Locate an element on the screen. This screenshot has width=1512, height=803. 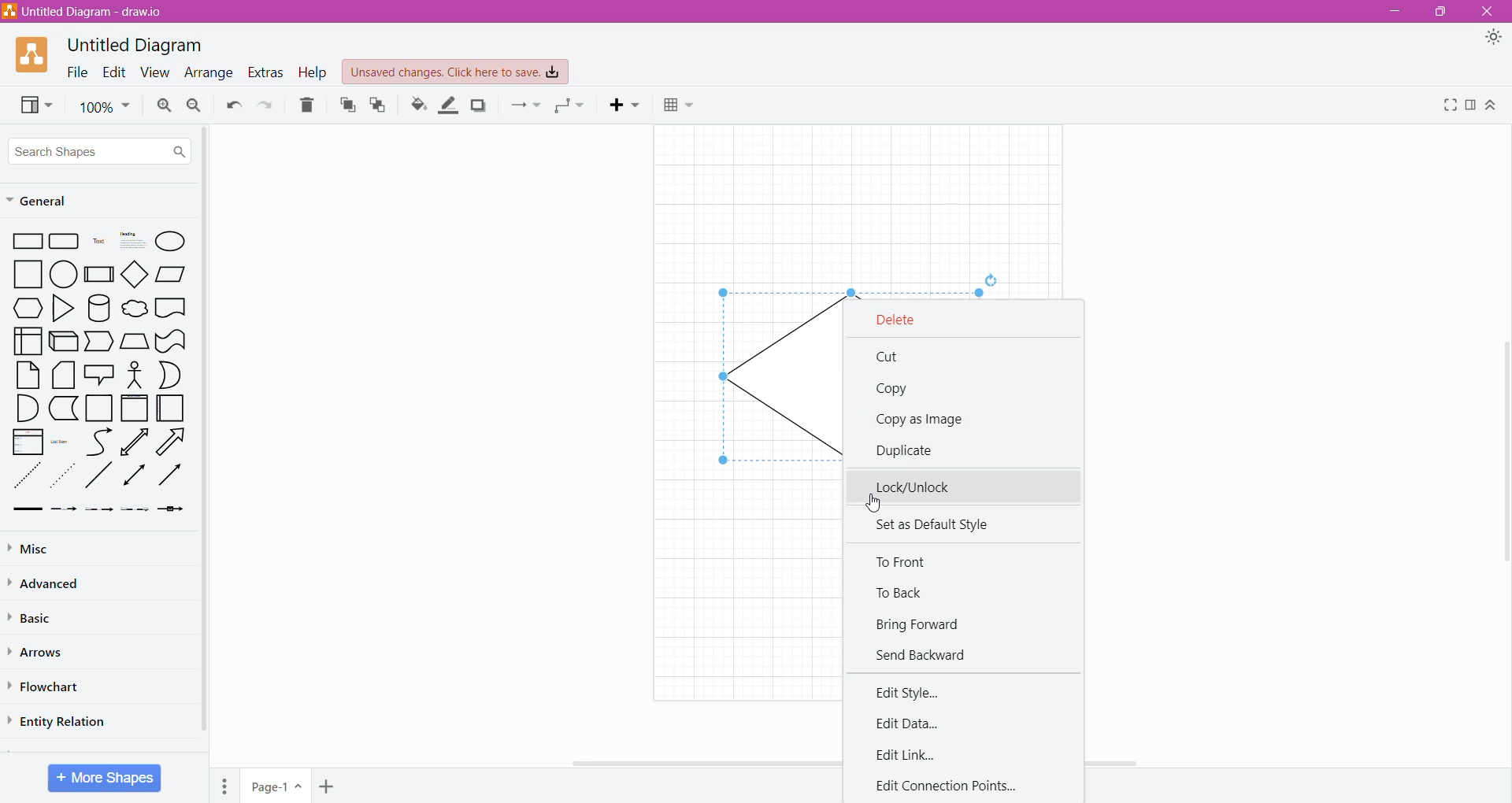
Advanced is located at coordinates (54, 584).